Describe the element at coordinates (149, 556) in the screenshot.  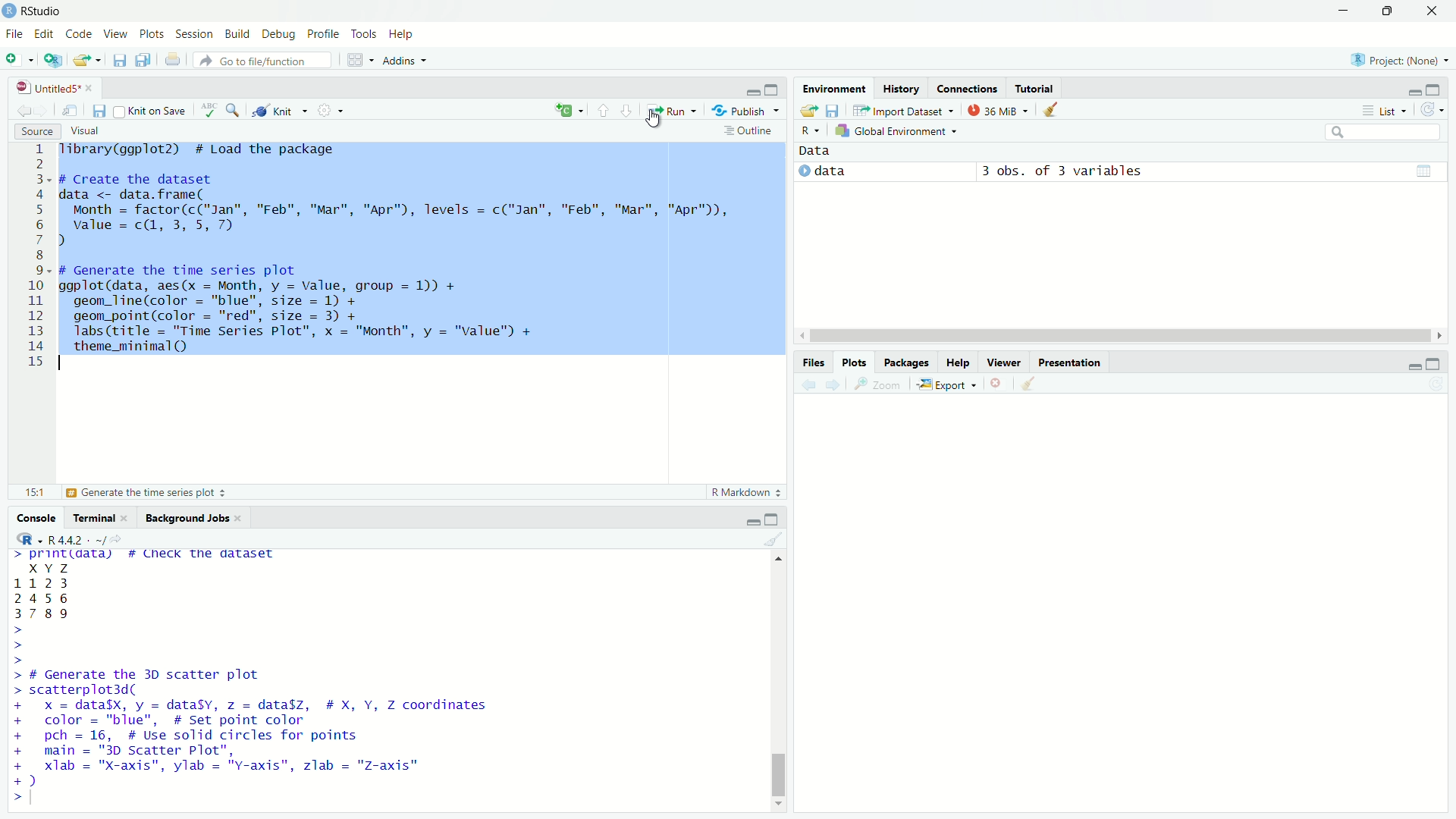
I see `code to print data` at that location.